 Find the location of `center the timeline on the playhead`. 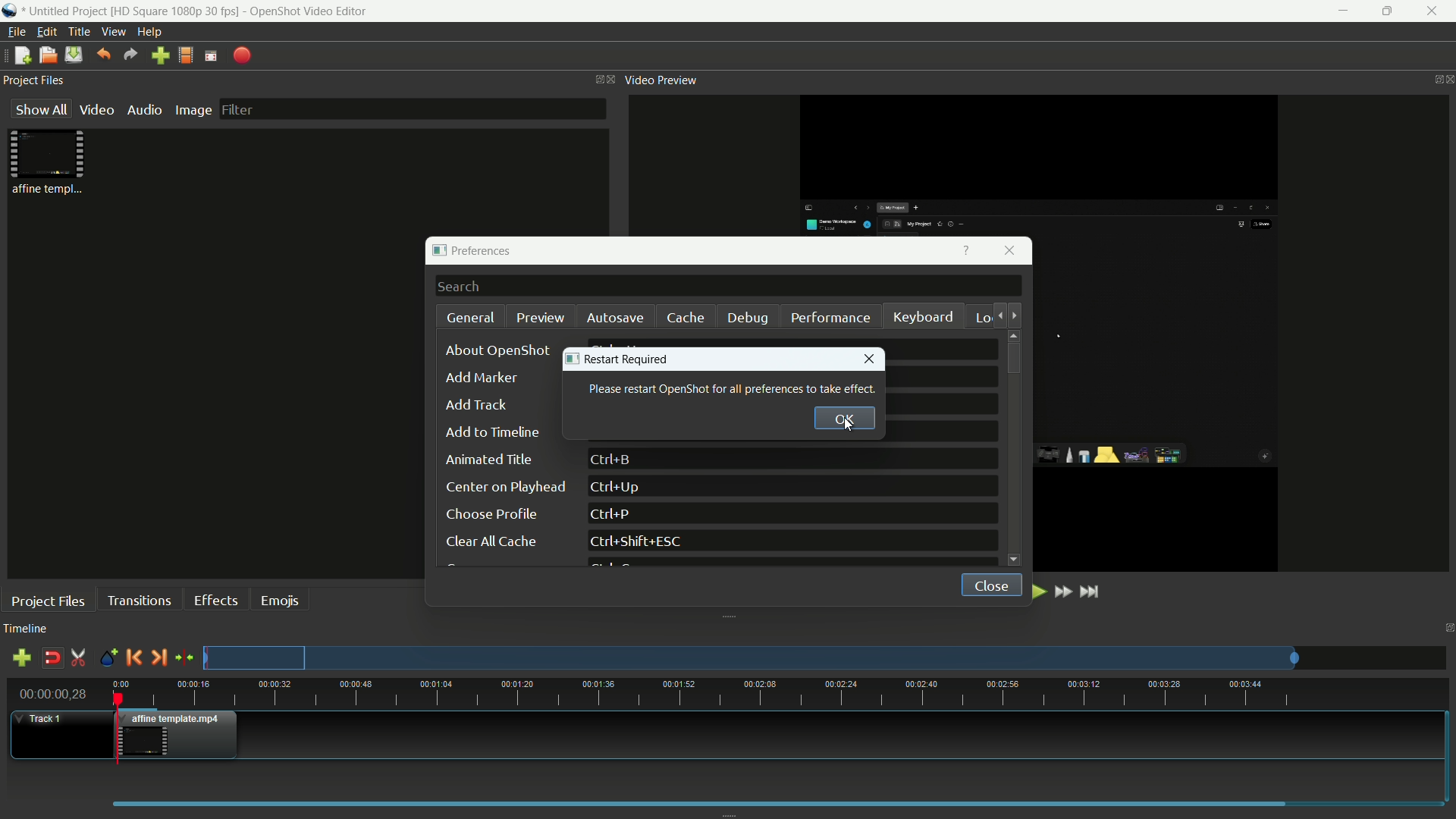

center the timeline on the playhead is located at coordinates (184, 657).